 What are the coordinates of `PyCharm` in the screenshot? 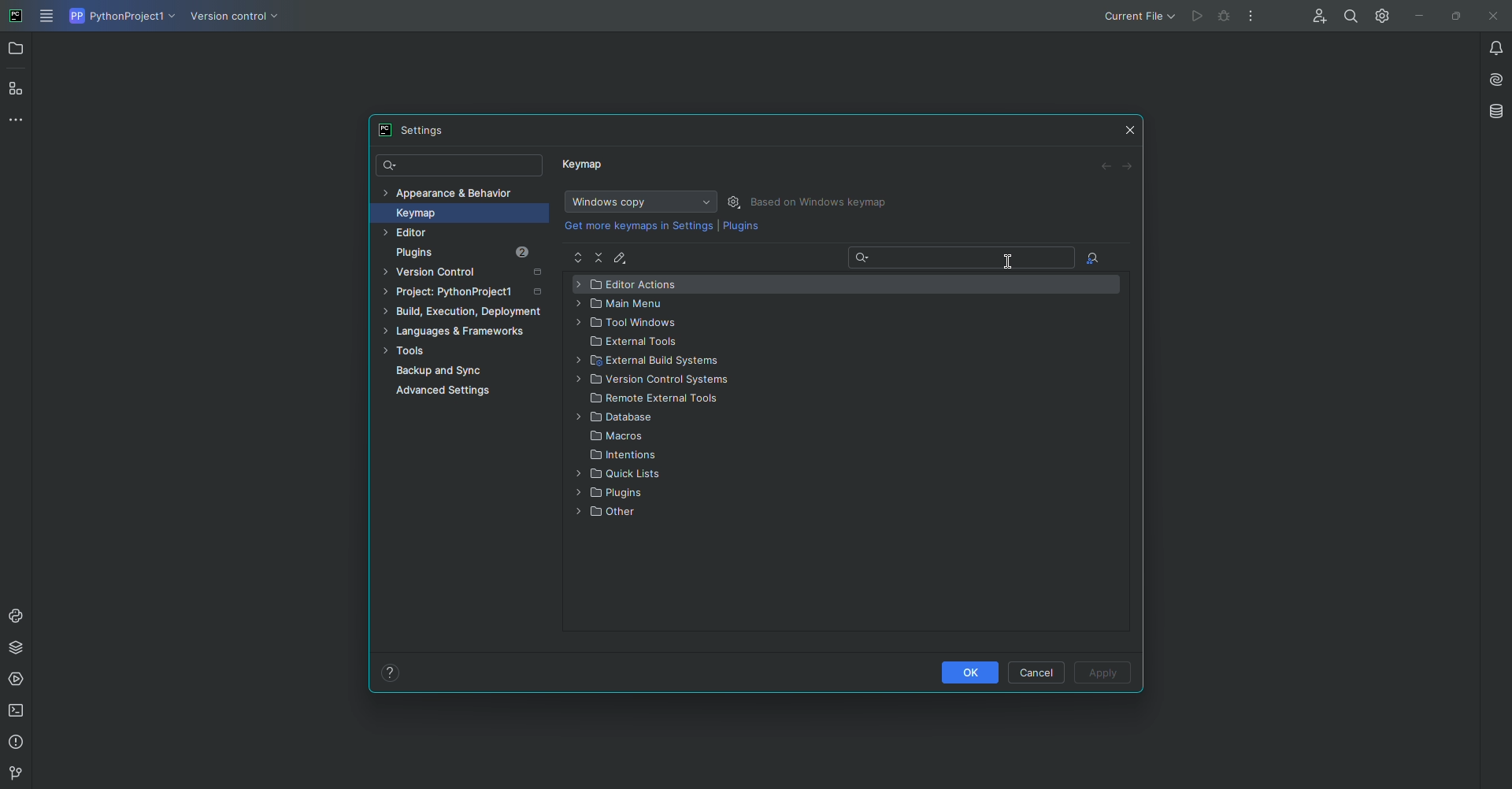 It's located at (17, 17).